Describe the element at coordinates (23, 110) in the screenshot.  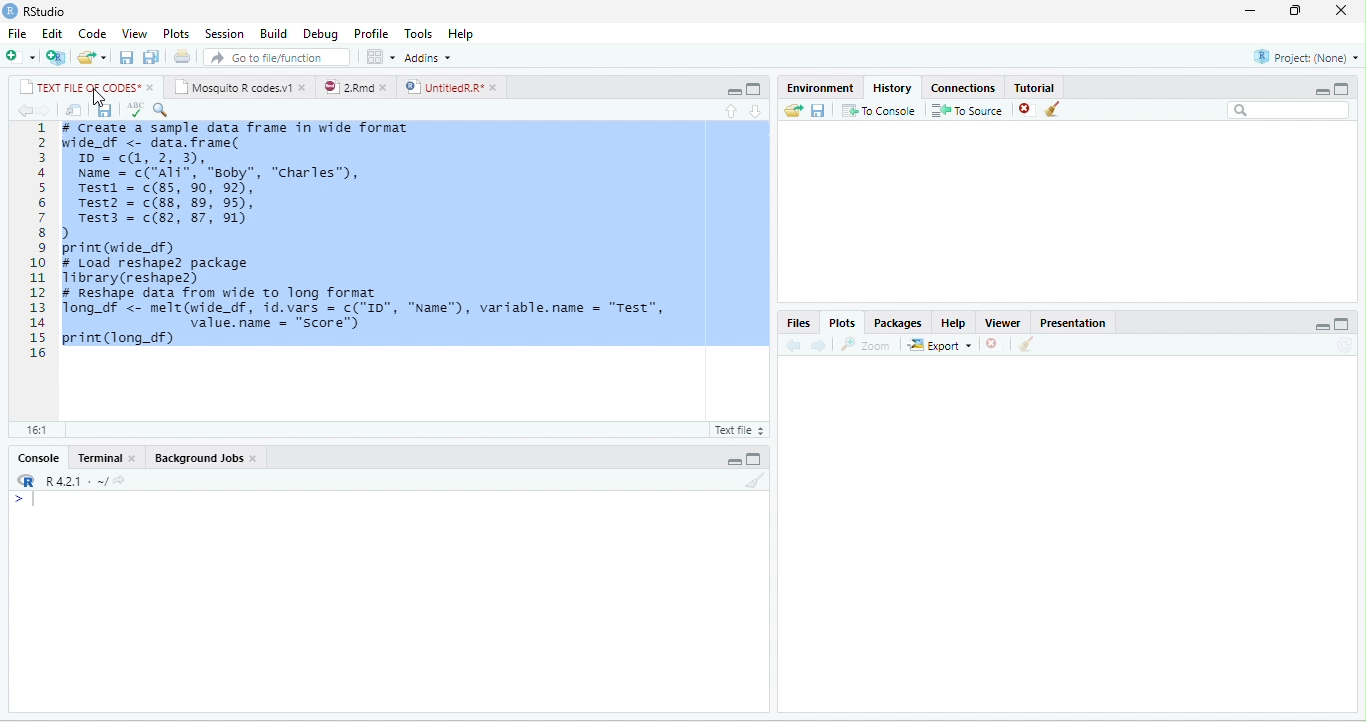
I see `back` at that location.